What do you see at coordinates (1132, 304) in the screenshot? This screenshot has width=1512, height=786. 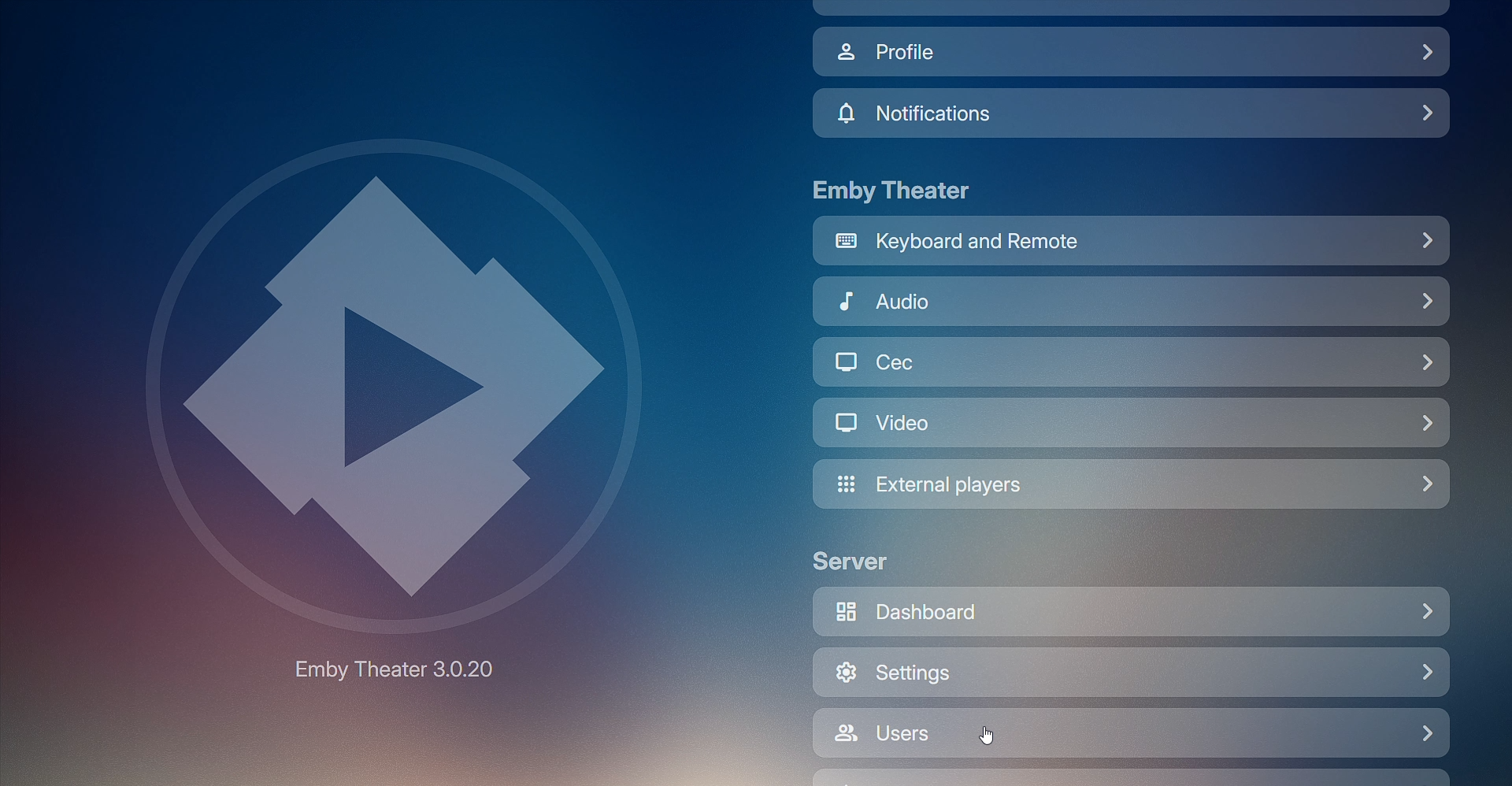 I see `Audio` at bounding box center [1132, 304].